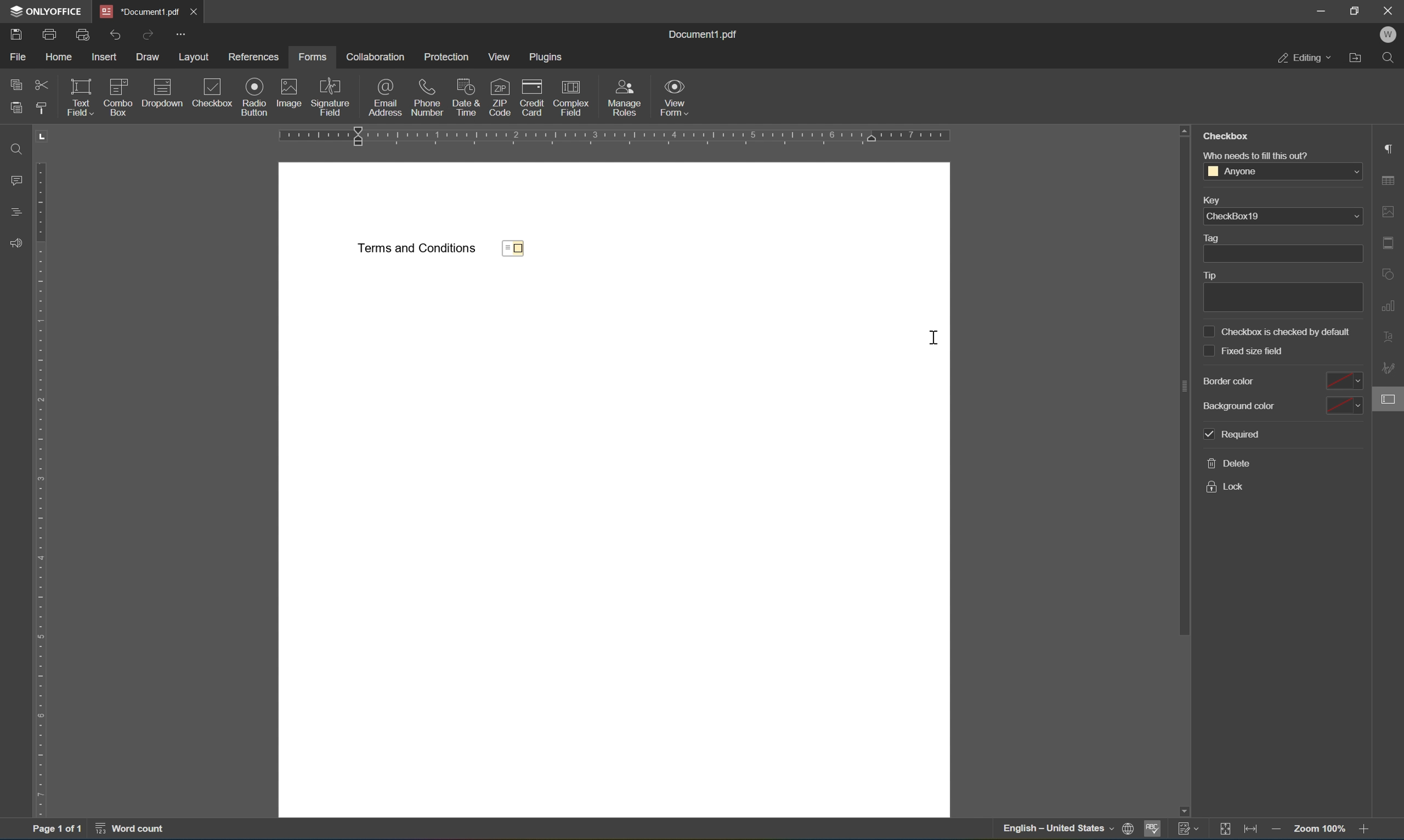  Describe the element at coordinates (445, 57) in the screenshot. I see `protection` at that location.